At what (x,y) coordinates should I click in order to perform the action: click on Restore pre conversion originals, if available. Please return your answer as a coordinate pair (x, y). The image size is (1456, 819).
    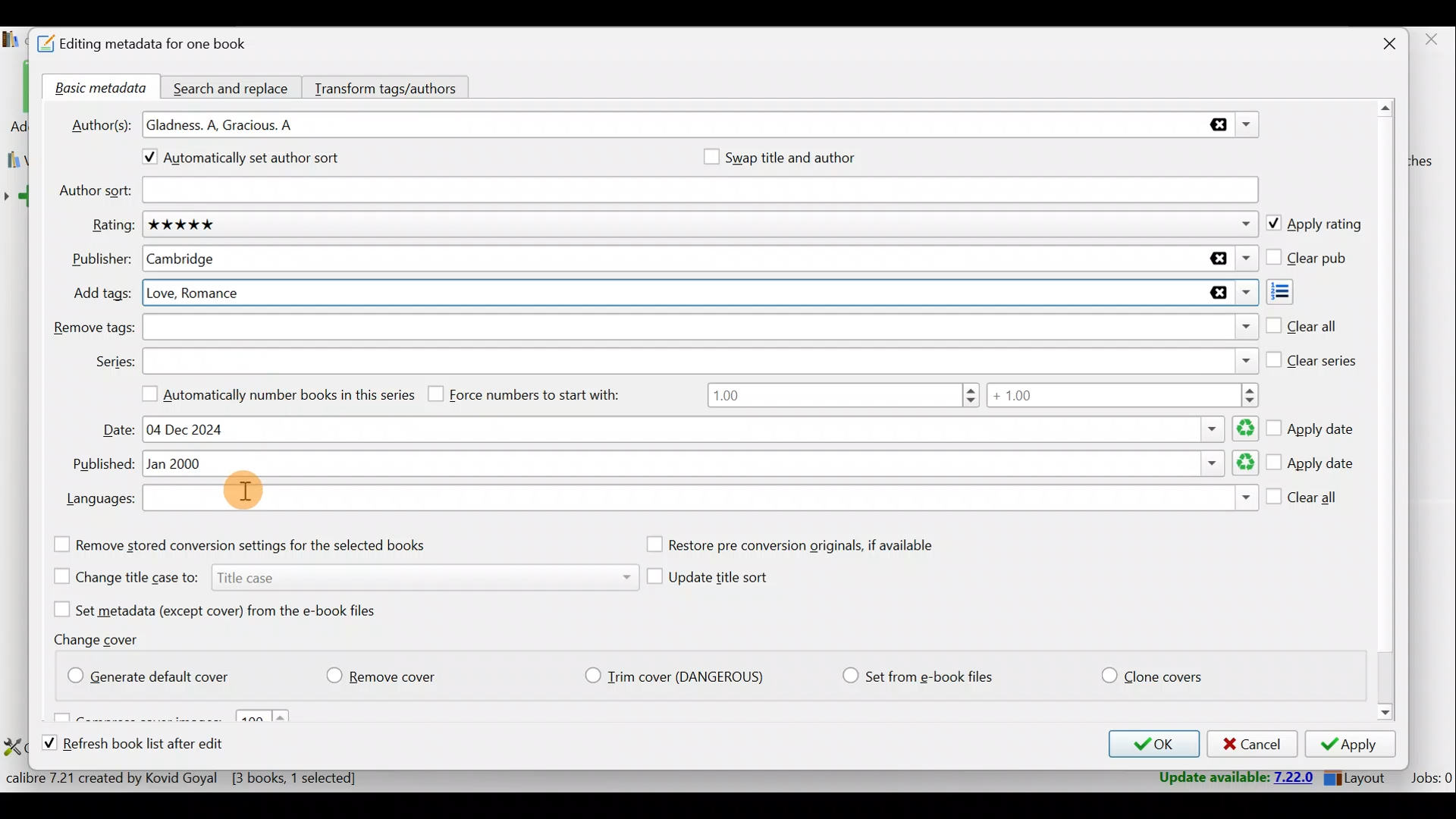
    Looking at the image, I should click on (806, 545).